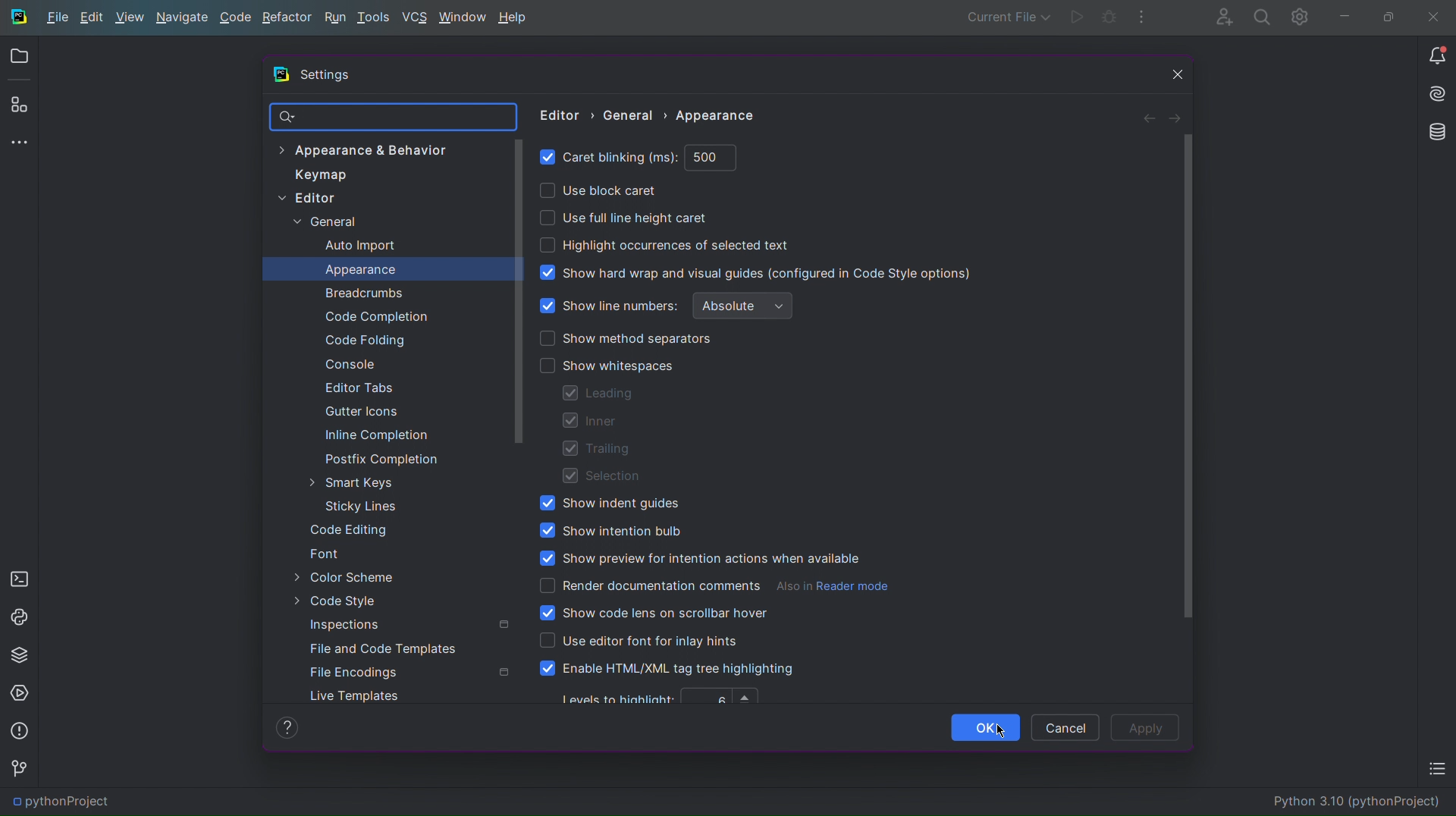 This screenshot has width=1456, height=816. I want to click on Back, so click(1145, 117).